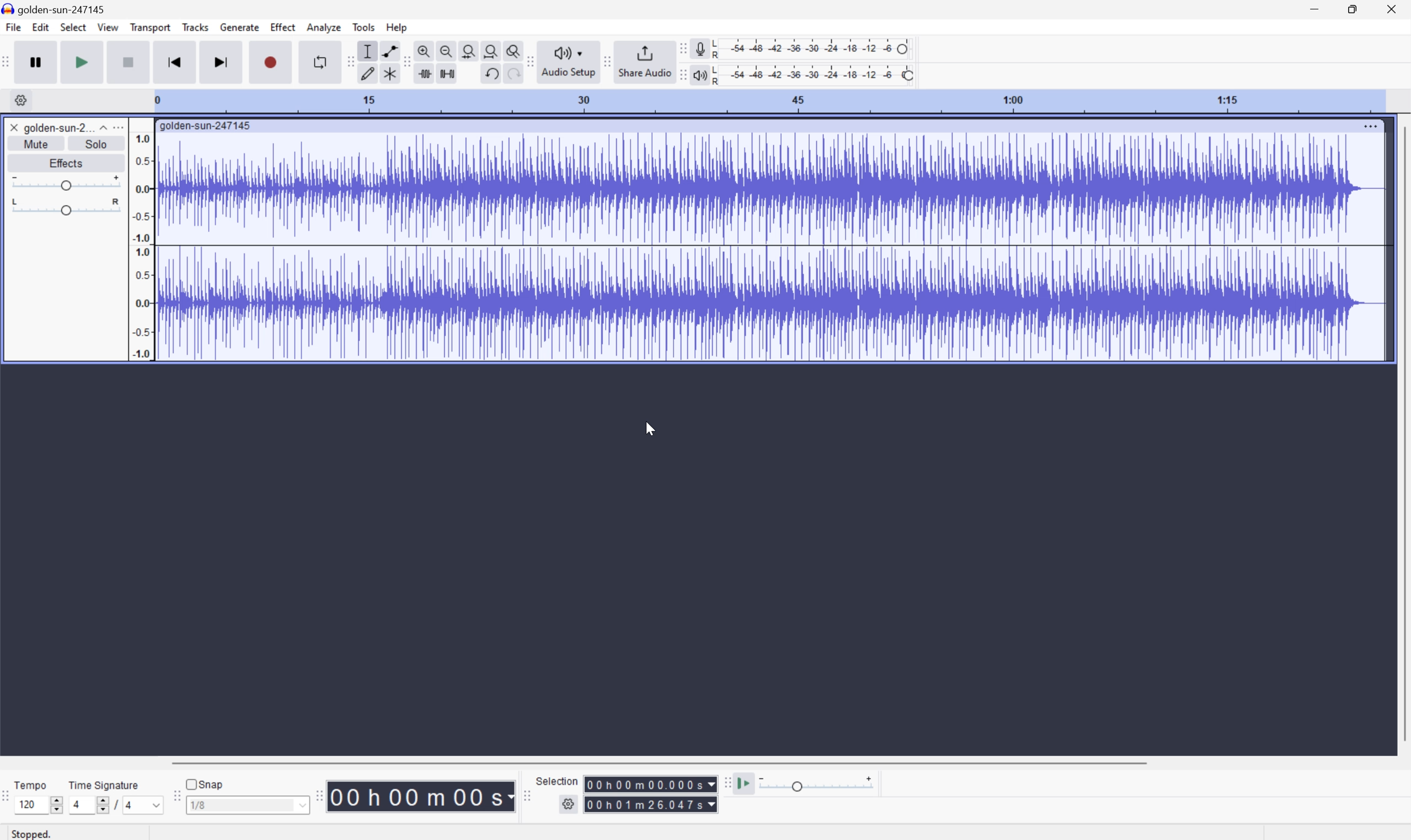 The width and height of the screenshot is (1411, 840). What do you see at coordinates (41, 804) in the screenshot?
I see `120 slider` at bounding box center [41, 804].